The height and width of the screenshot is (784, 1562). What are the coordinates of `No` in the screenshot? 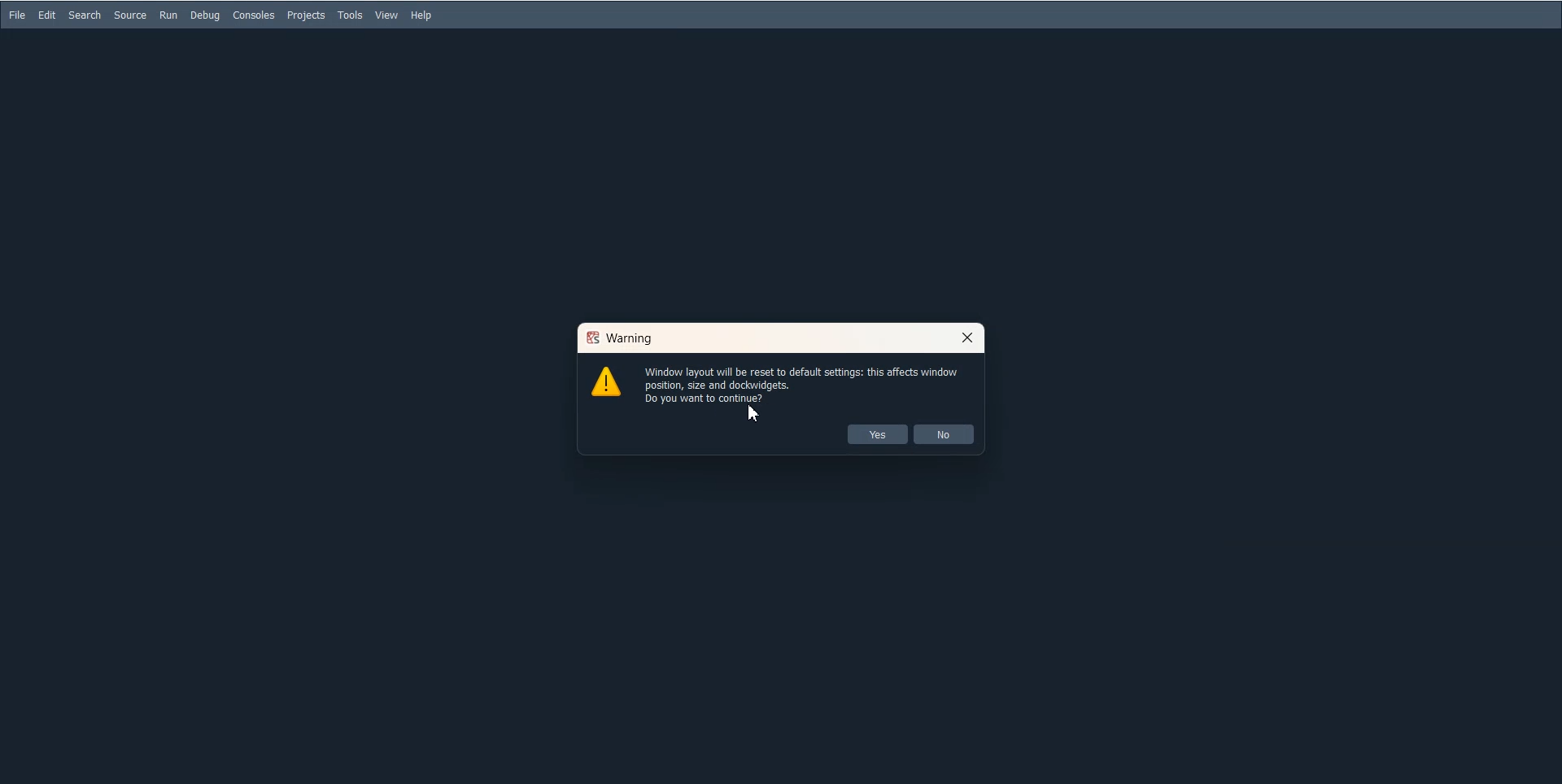 It's located at (944, 434).